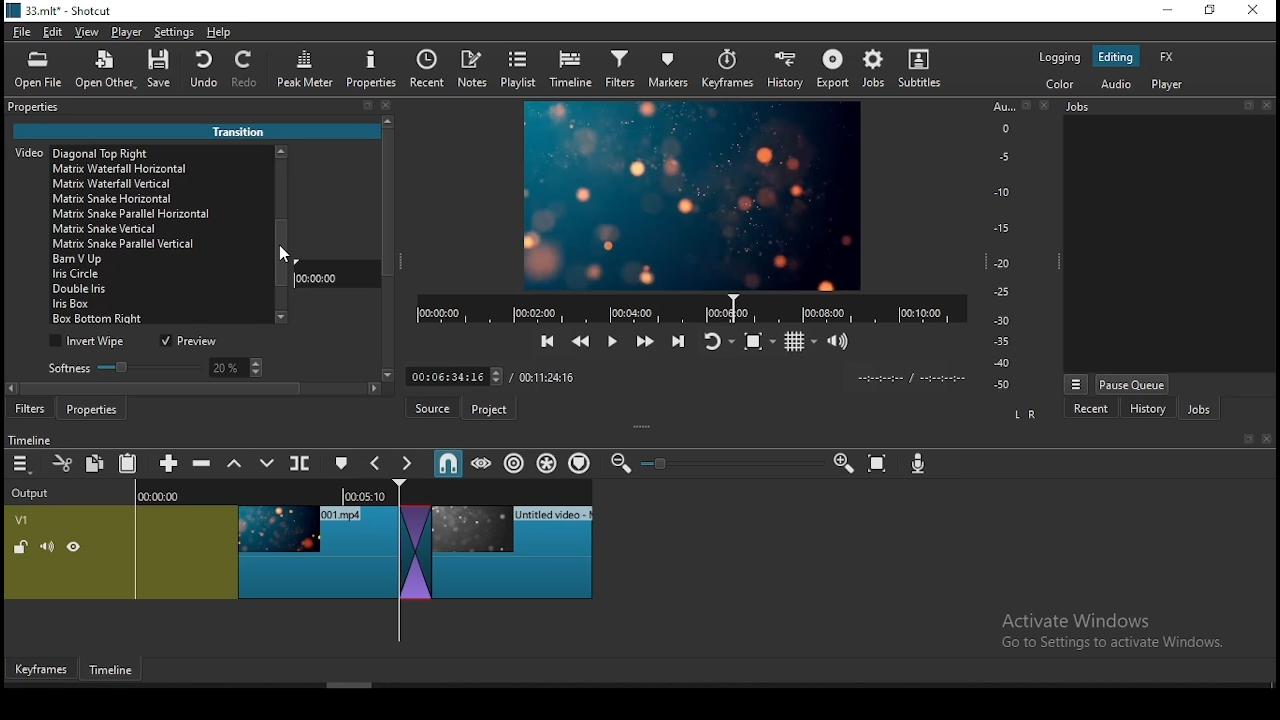  Describe the element at coordinates (96, 409) in the screenshot. I see `properties` at that location.